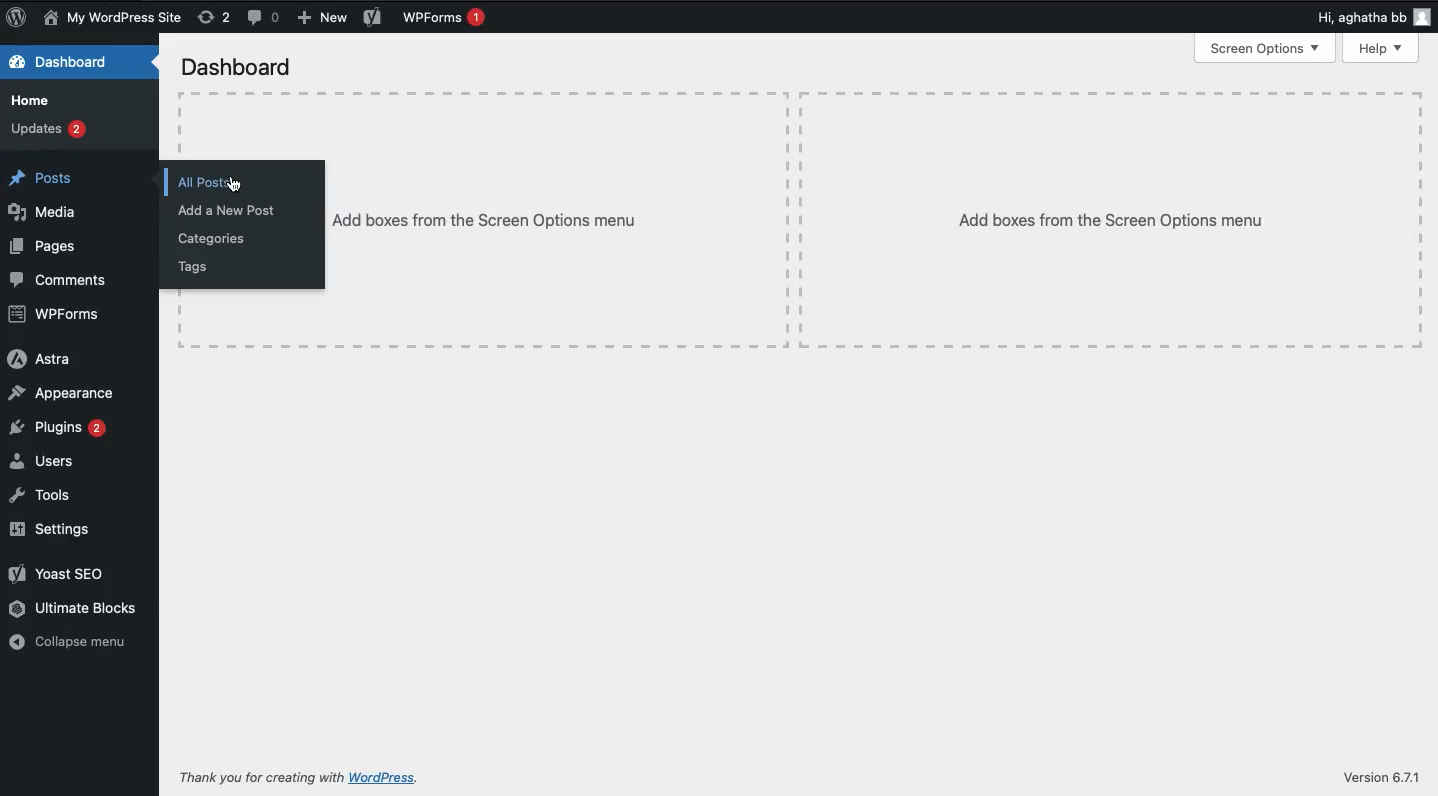  I want to click on WPForms, so click(443, 18).